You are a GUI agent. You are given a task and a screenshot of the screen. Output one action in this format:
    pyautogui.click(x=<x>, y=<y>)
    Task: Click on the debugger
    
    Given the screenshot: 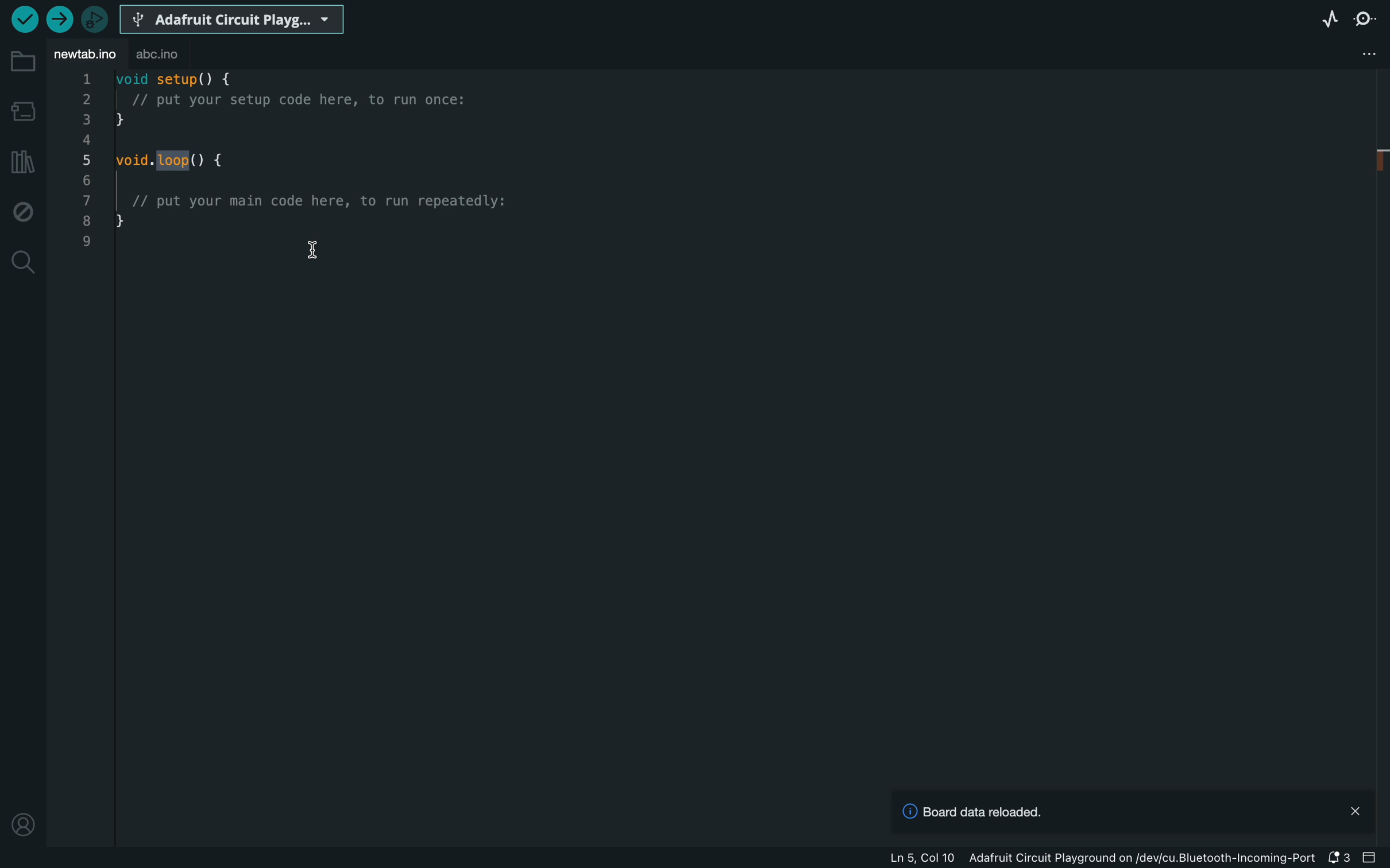 What is the action you would take?
    pyautogui.click(x=93, y=18)
    